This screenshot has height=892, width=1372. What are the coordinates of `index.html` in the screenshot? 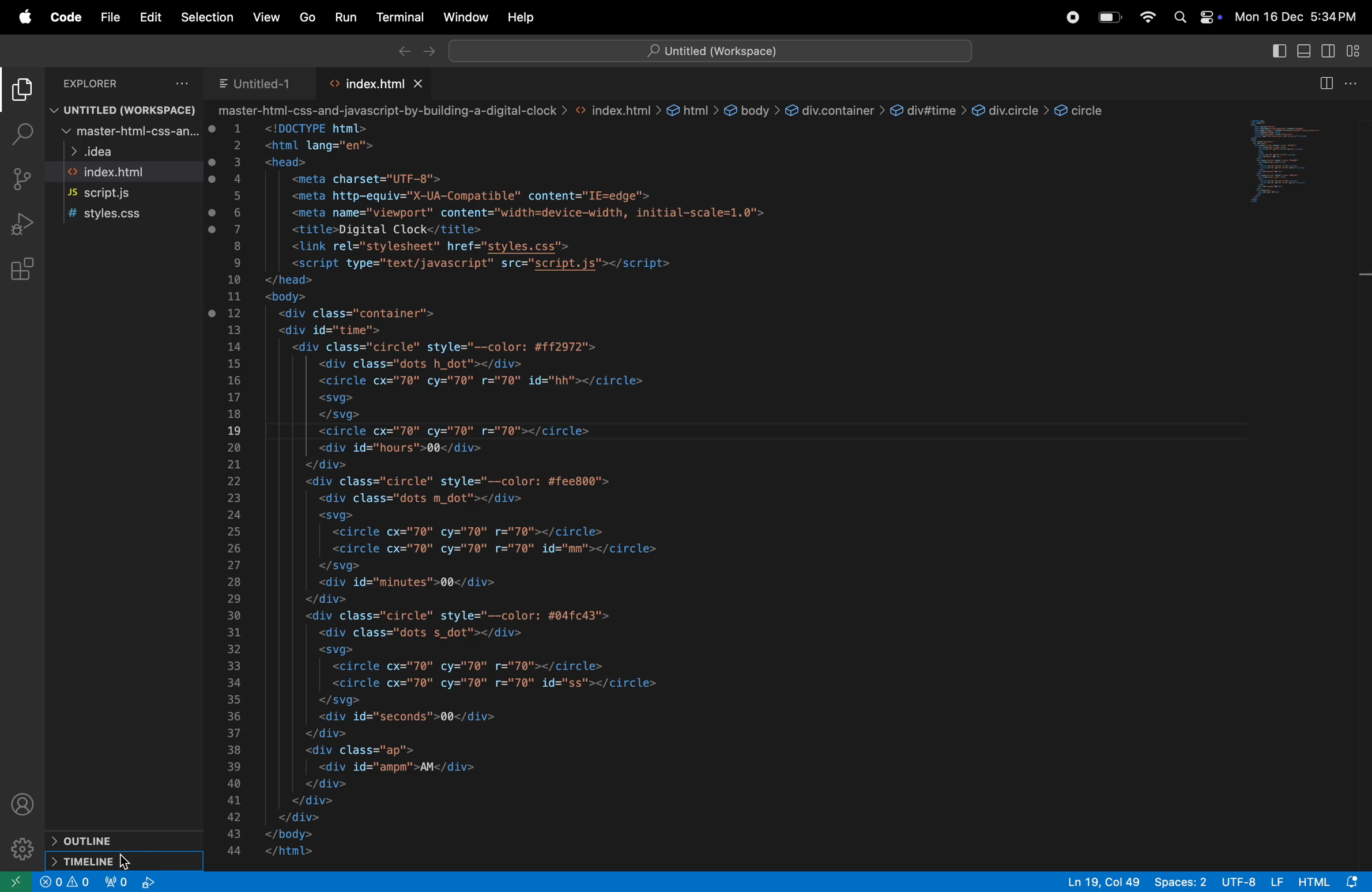 It's located at (380, 83).